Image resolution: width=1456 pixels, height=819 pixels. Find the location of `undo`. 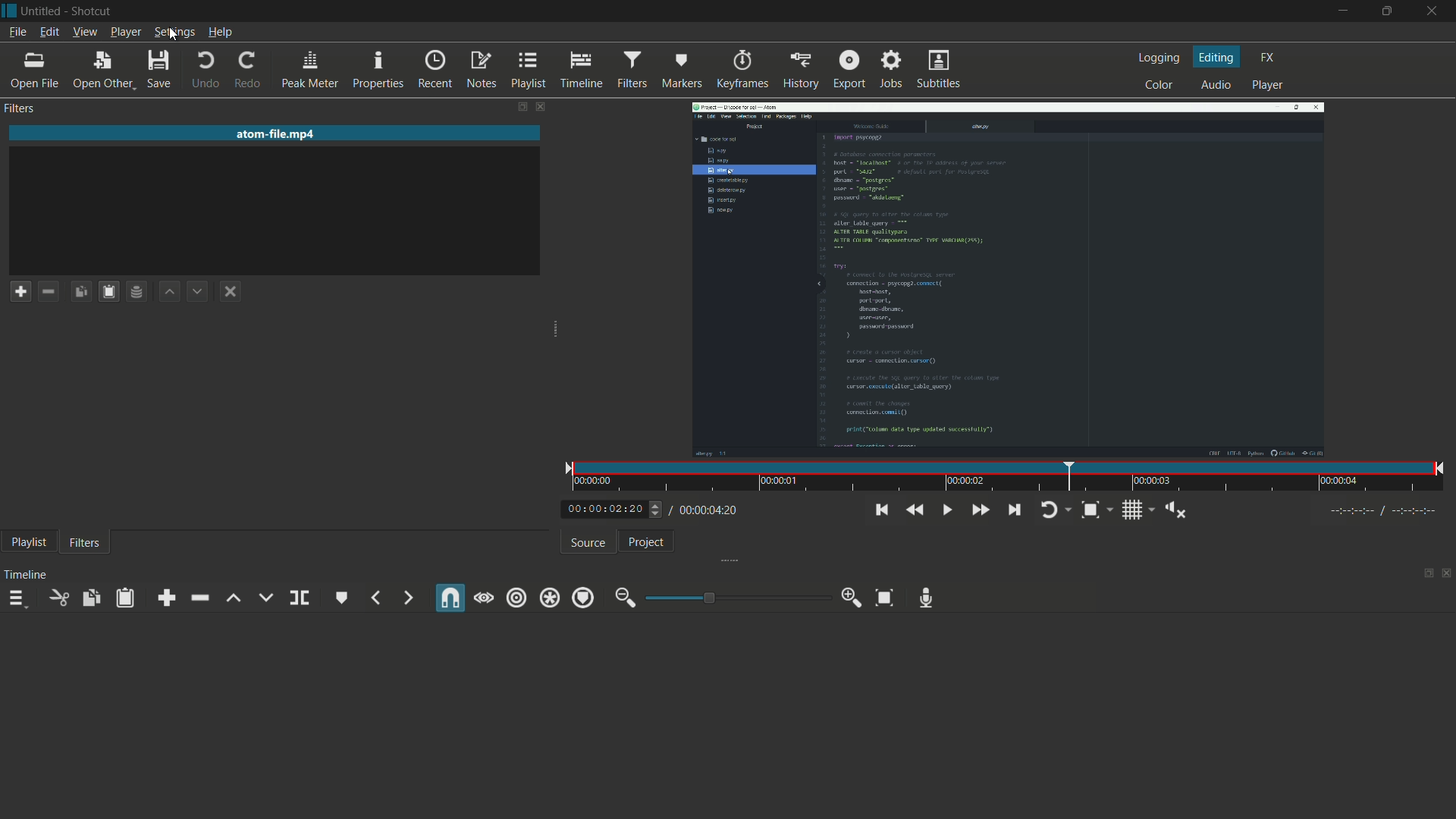

undo is located at coordinates (205, 70).